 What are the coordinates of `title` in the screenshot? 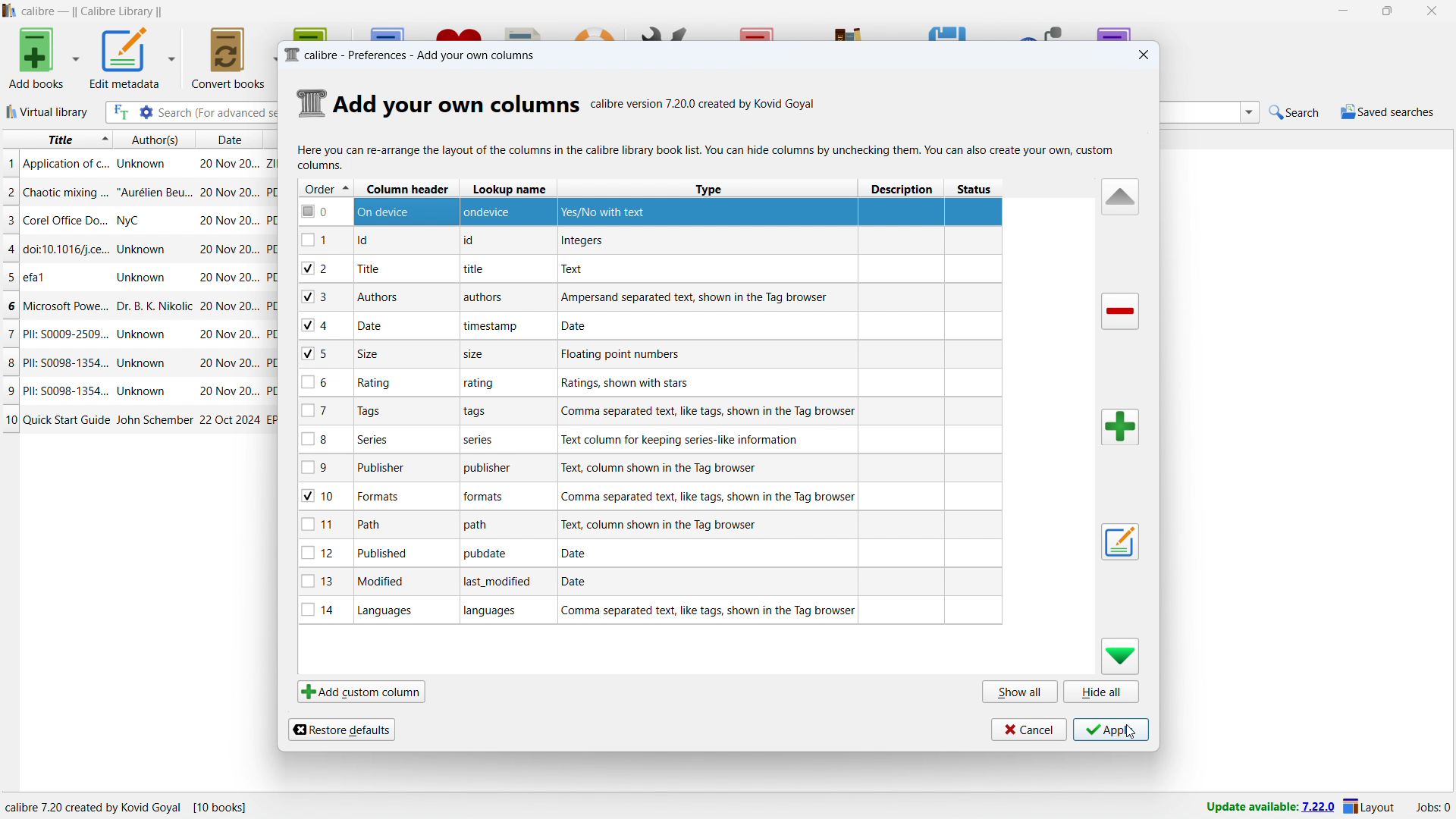 It's located at (66, 390).